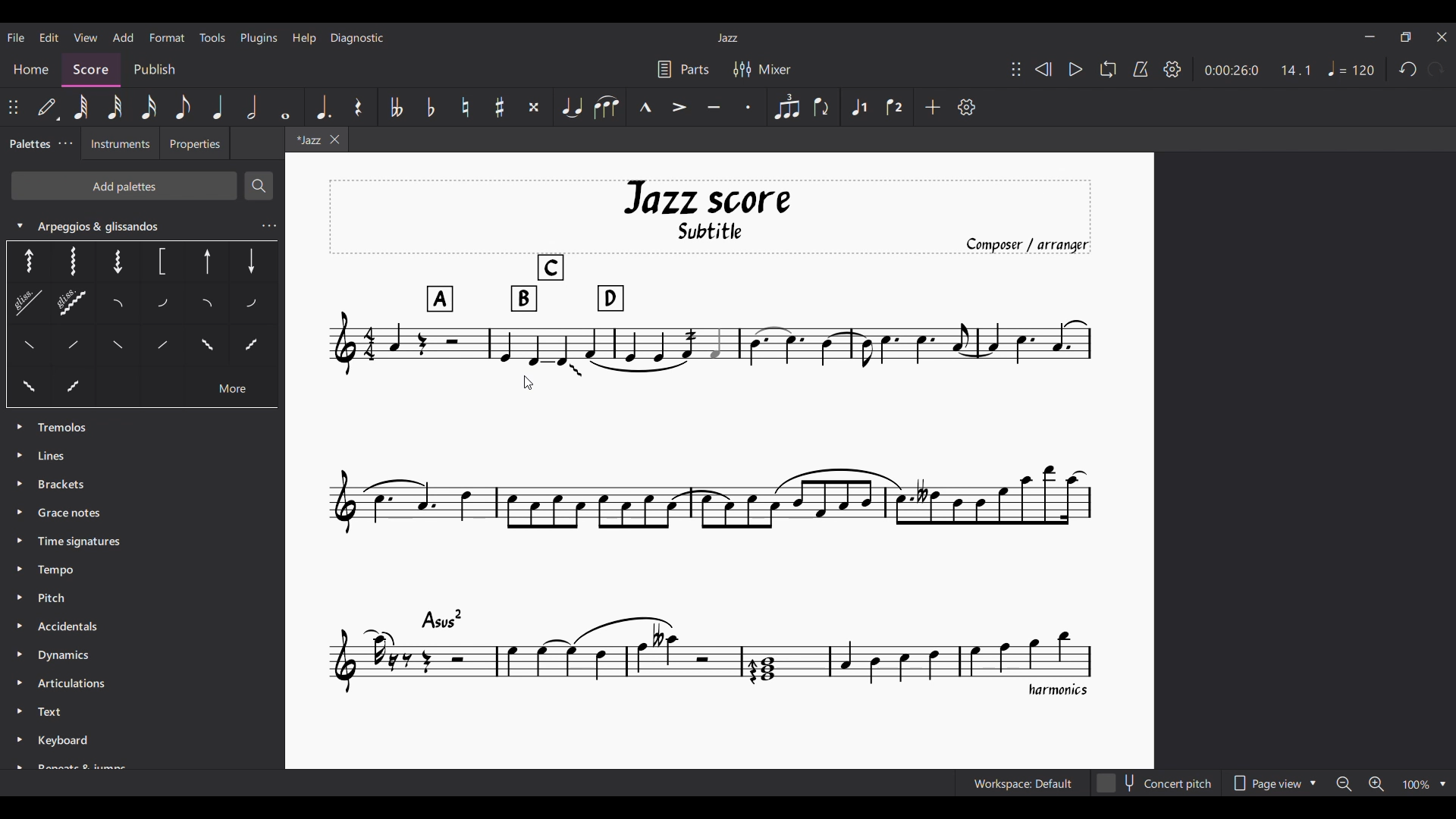 This screenshot has height=819, width=1456. What do you see at coordinates (529, 383) in the screenshot?
I see `Cursor position unchanged` at bounding box center [529, 383].